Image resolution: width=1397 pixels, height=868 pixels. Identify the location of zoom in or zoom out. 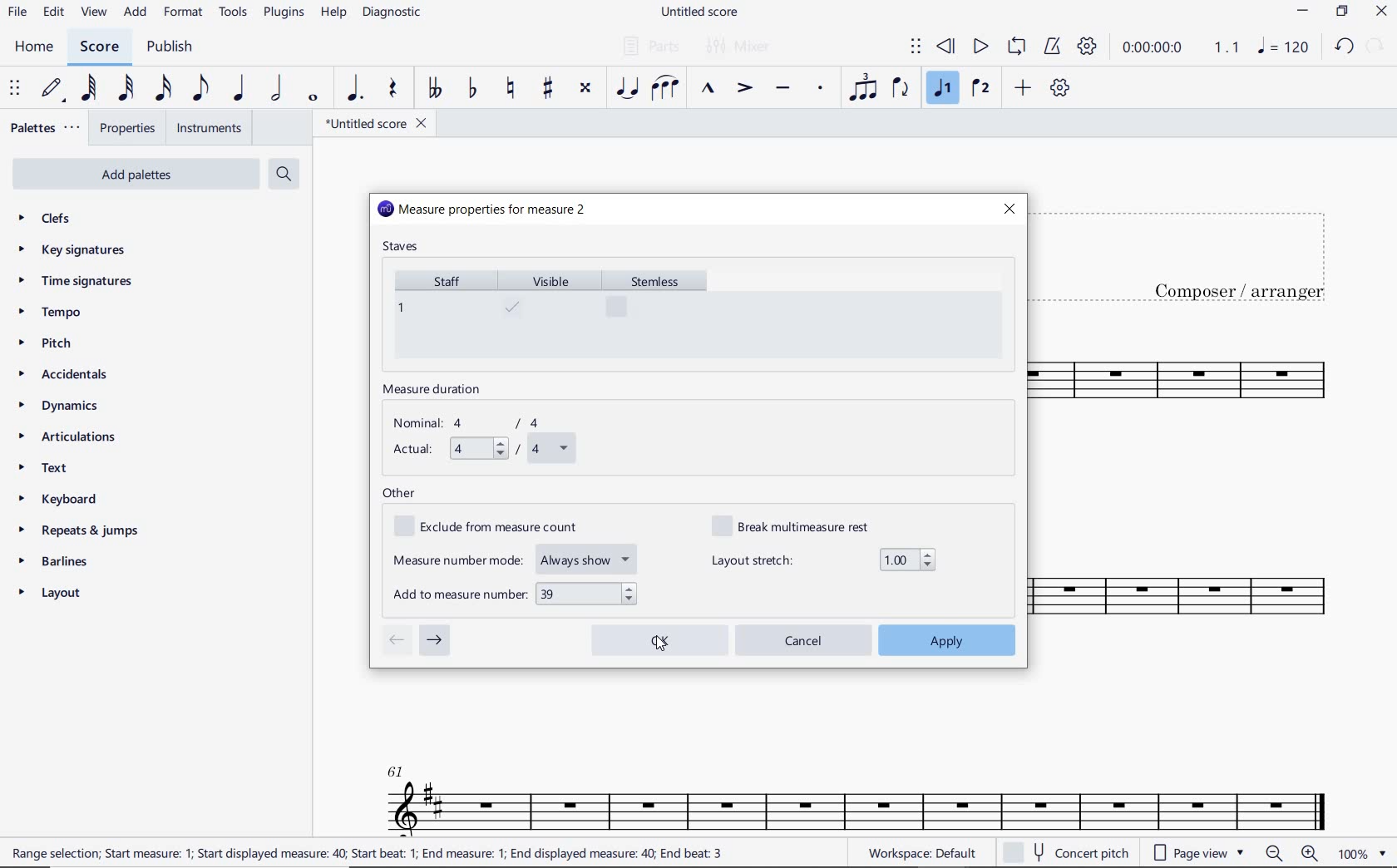
(1294, 855).